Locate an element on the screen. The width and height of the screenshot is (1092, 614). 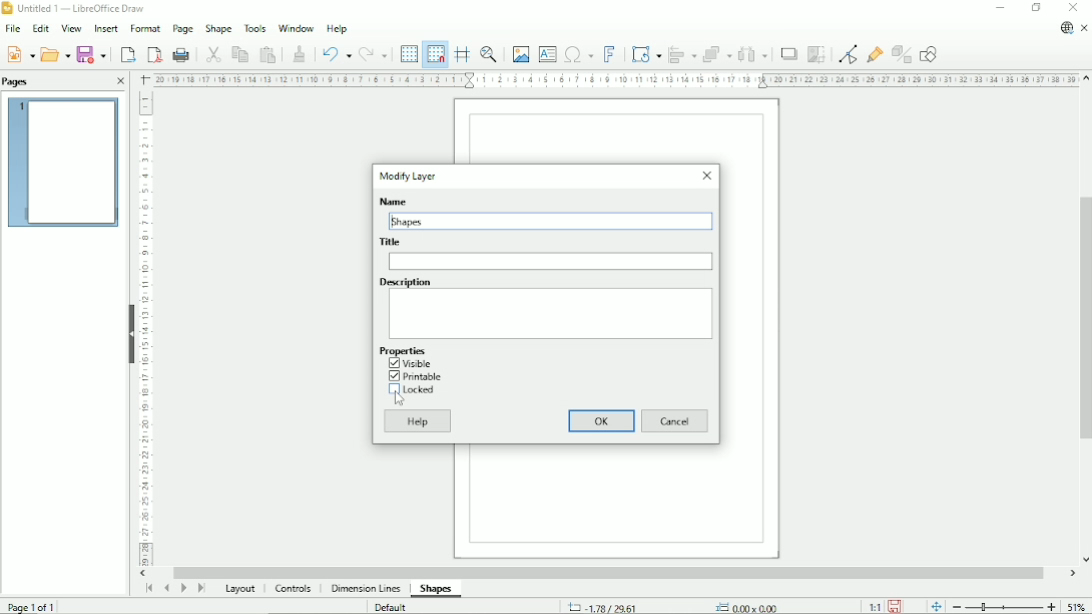
Scroll to last page is located at coordinates (201, 589).